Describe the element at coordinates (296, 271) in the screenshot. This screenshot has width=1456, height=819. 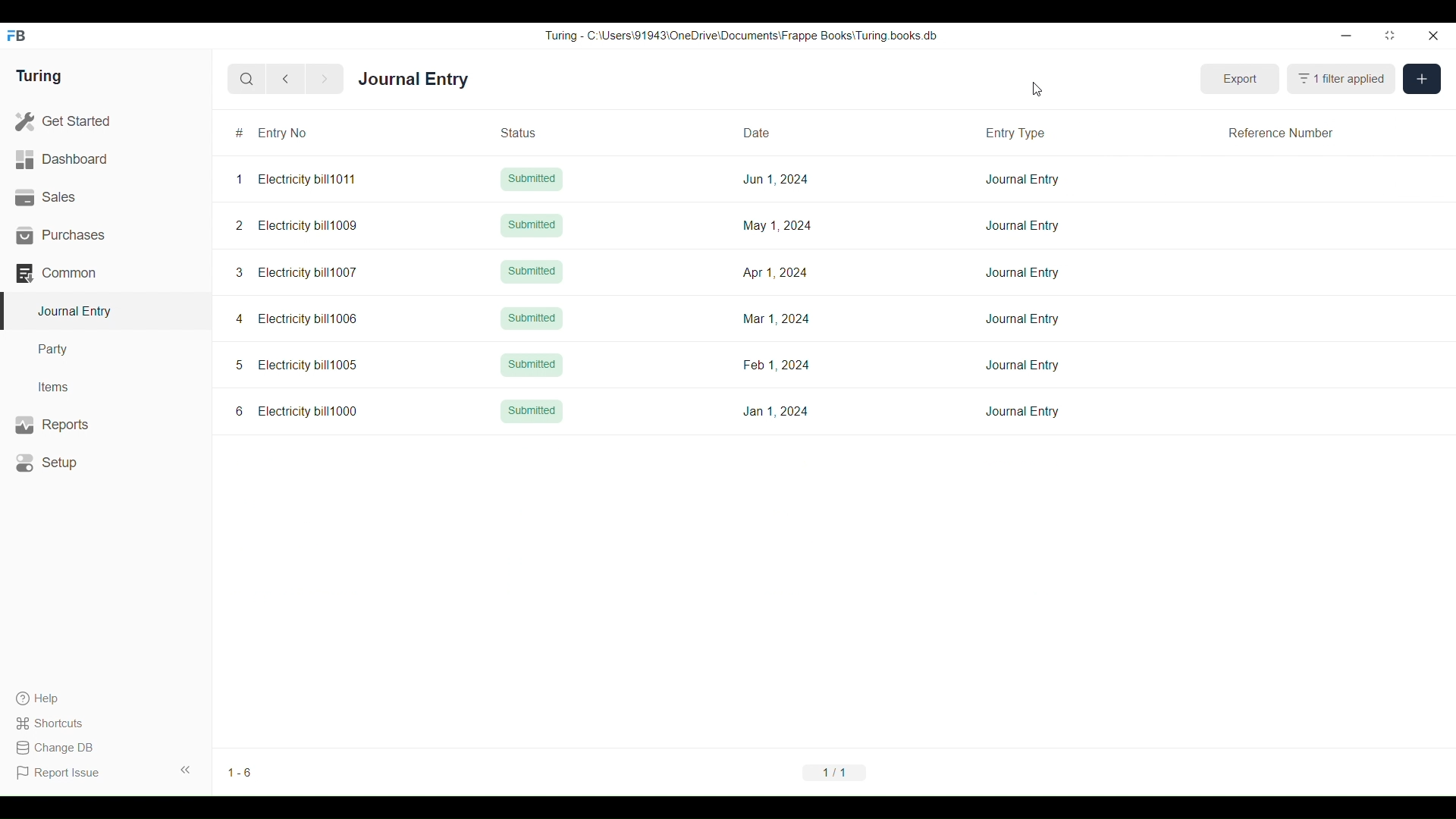
I see `3 Electricity bill1007` at that location.